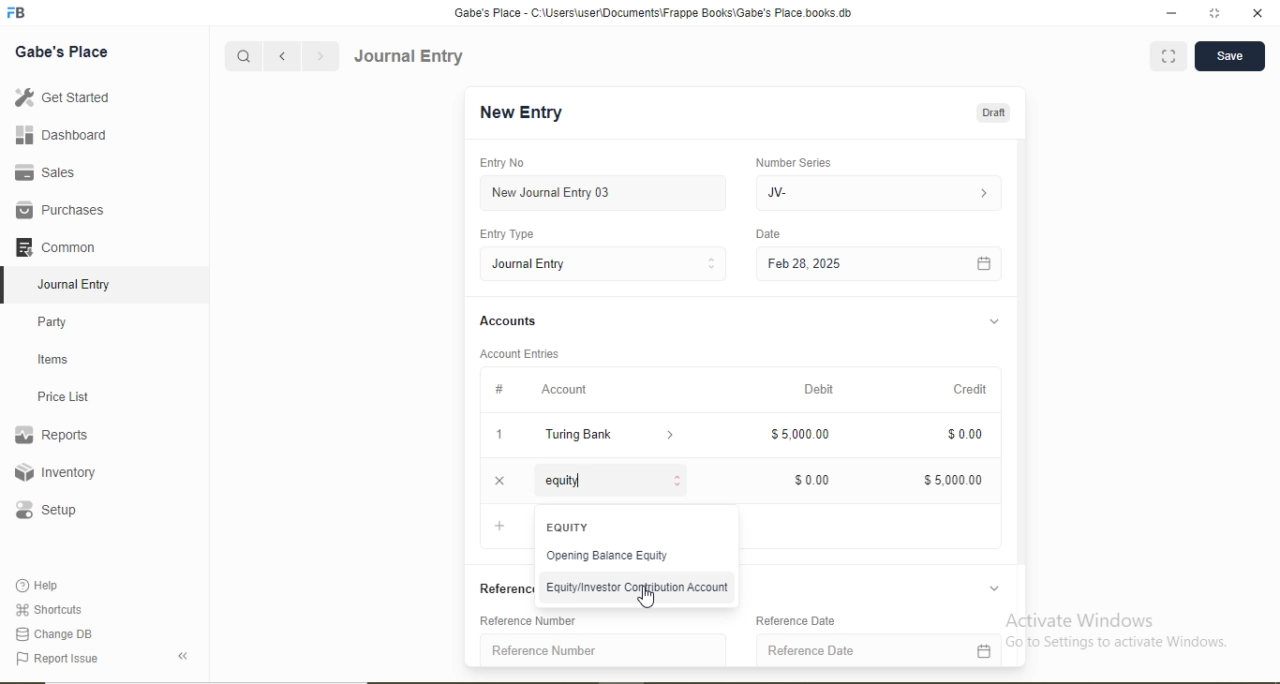 This screenshot has width=1280, height=684. I want to click on Debit, so click(819, 389).